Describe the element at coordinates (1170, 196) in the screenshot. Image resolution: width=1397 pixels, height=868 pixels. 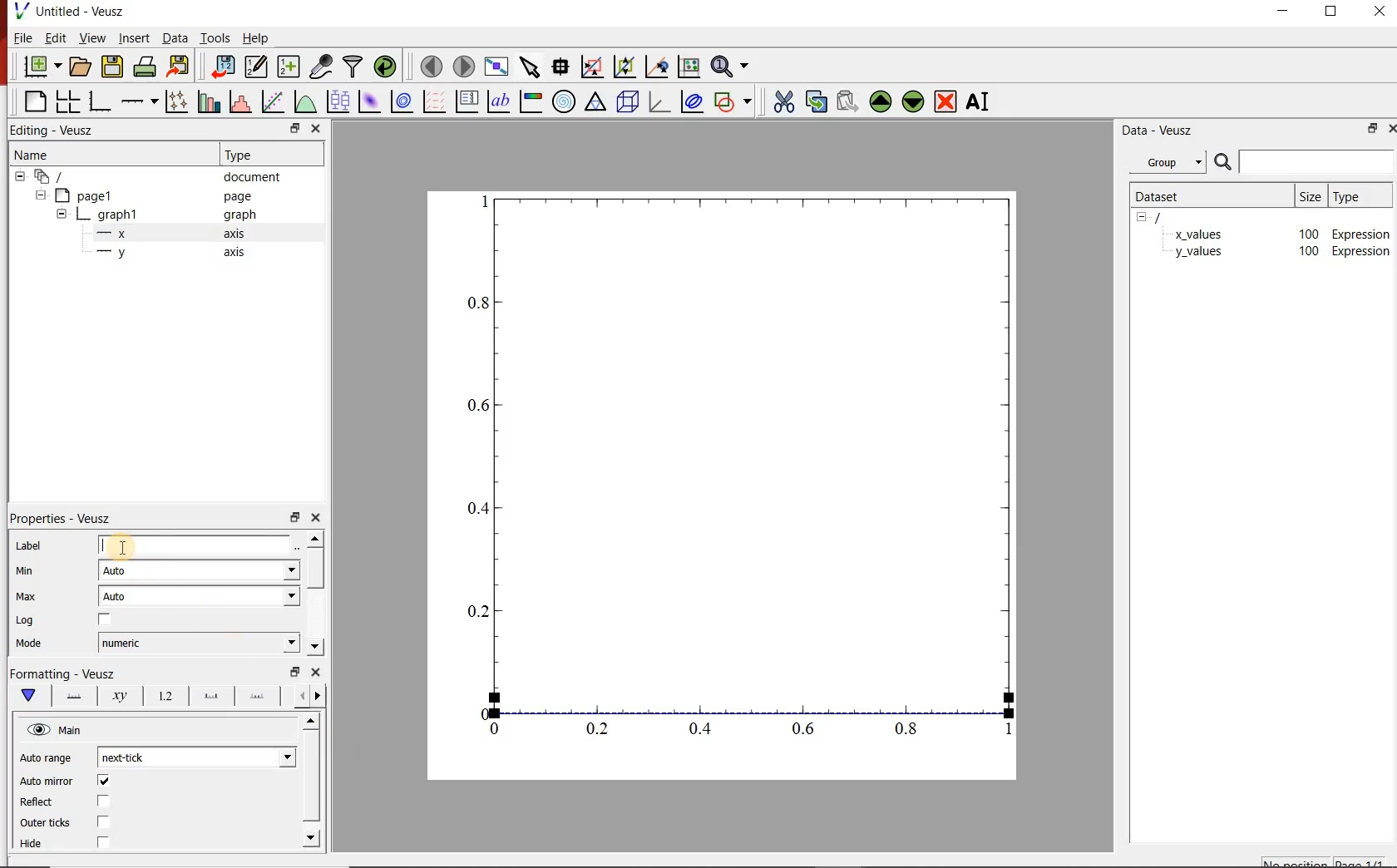
I see `dataset` at that location.